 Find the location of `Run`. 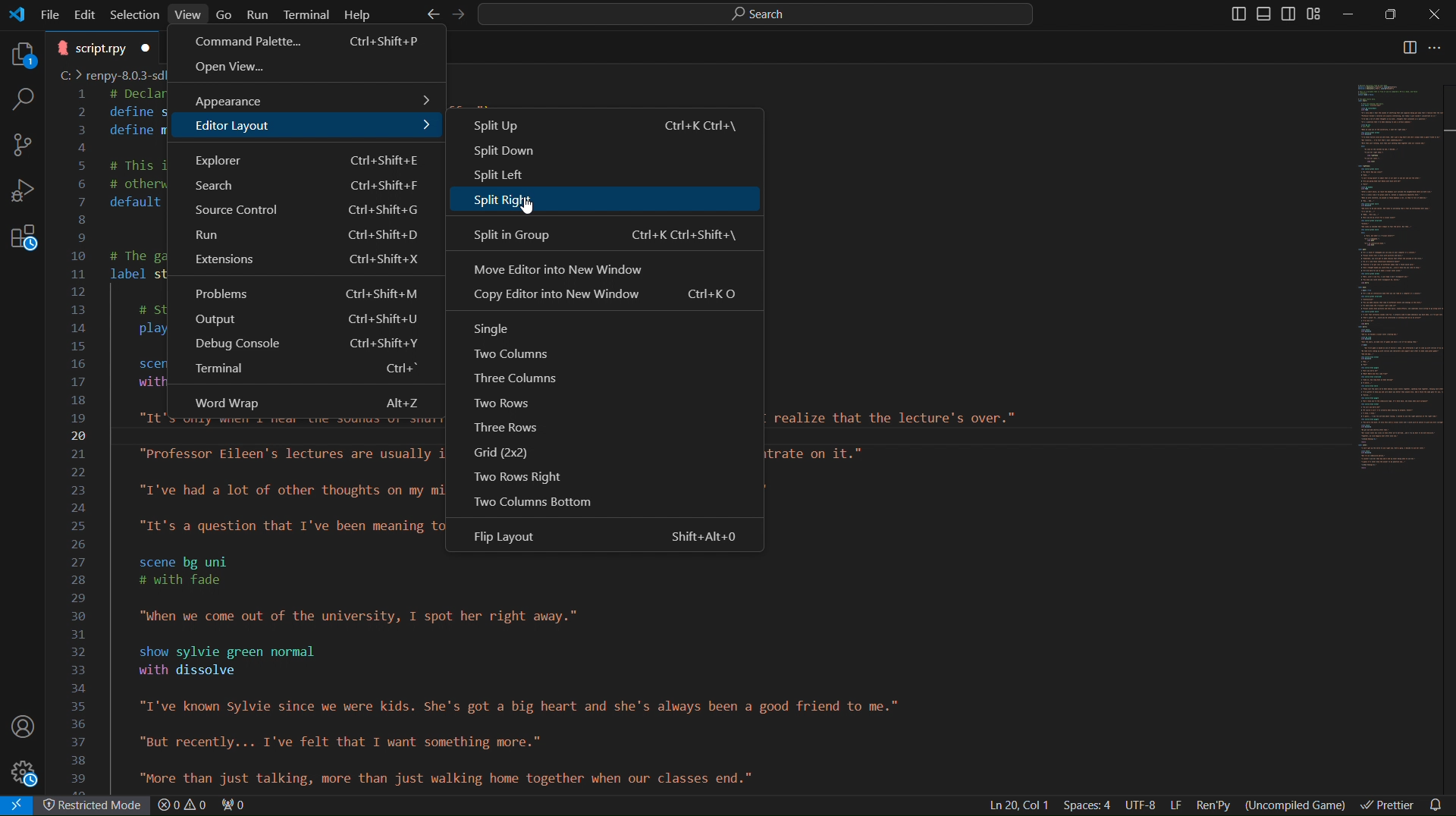

Run is located at coordinates (259, 14).